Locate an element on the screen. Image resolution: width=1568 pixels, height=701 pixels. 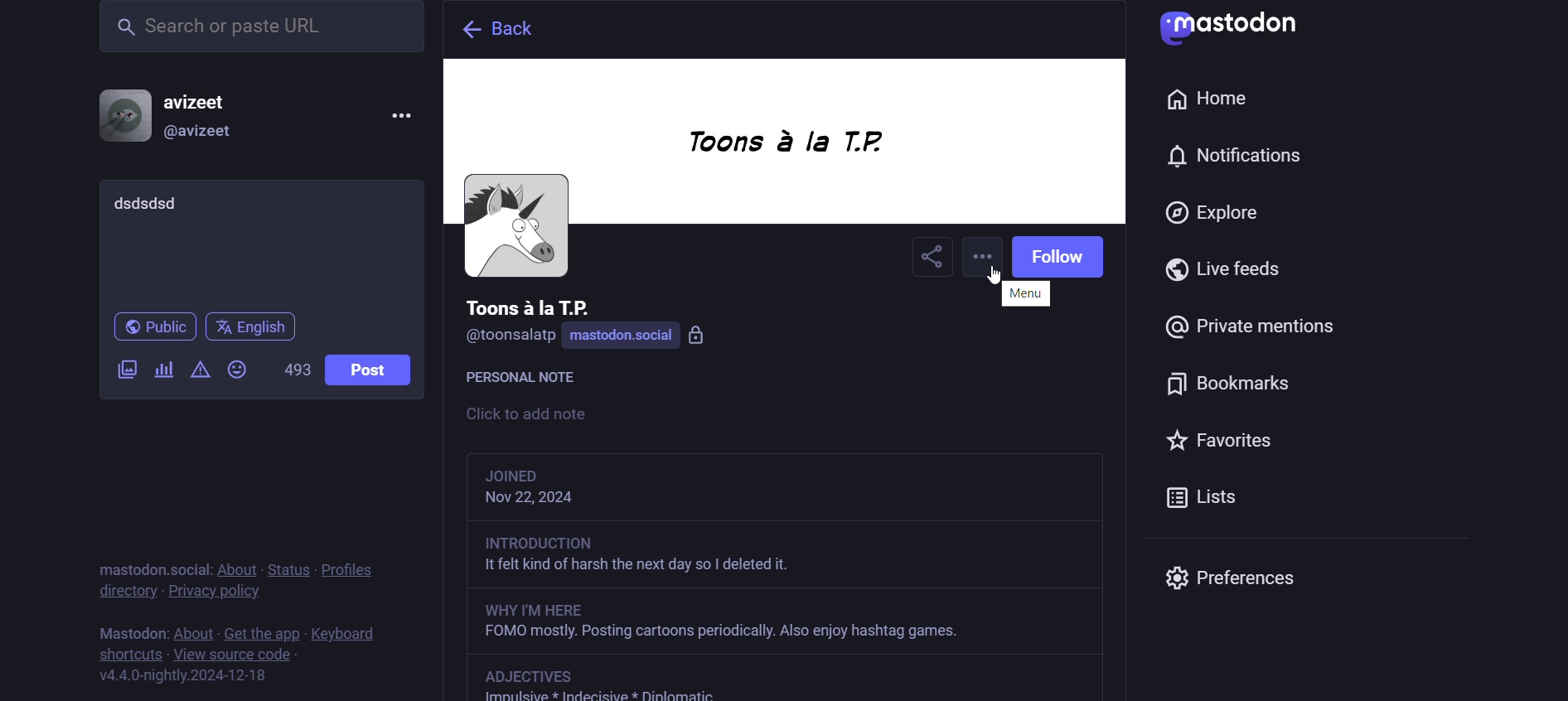
profile picture is located at coordinates (515, 227).